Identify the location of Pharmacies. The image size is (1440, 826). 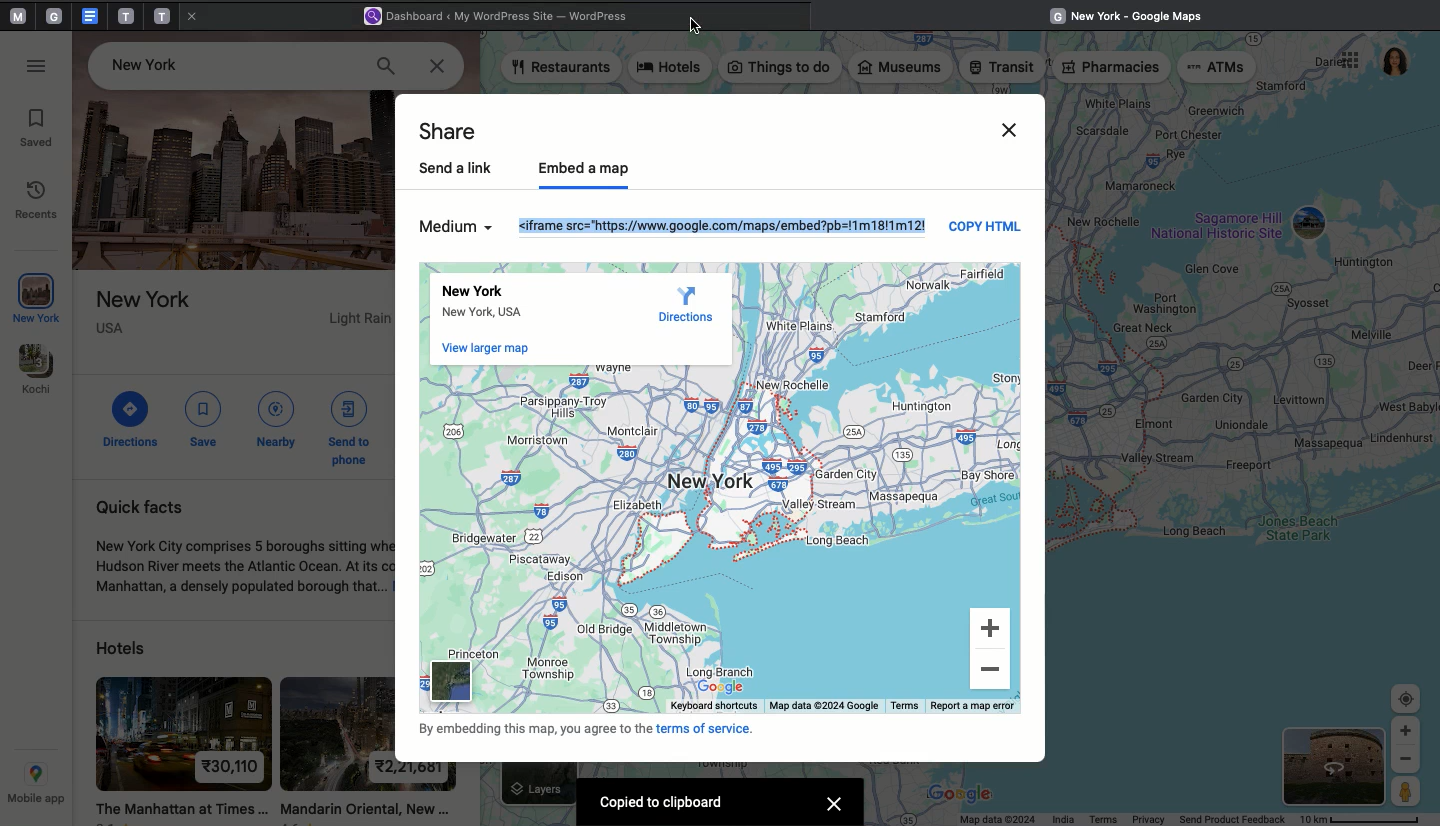
(1111, 69).